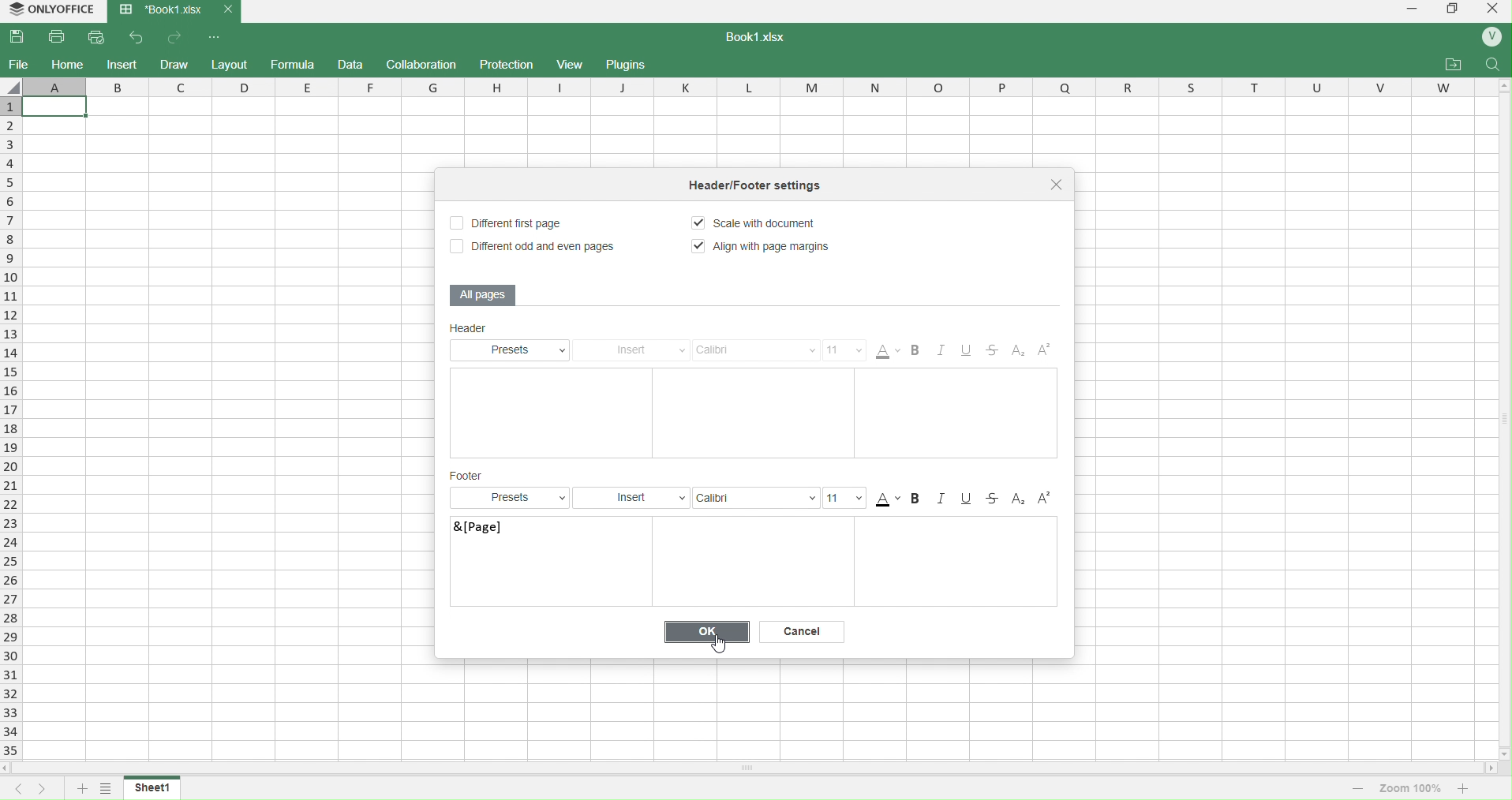  I want to click on &[page], so click(522, 538).